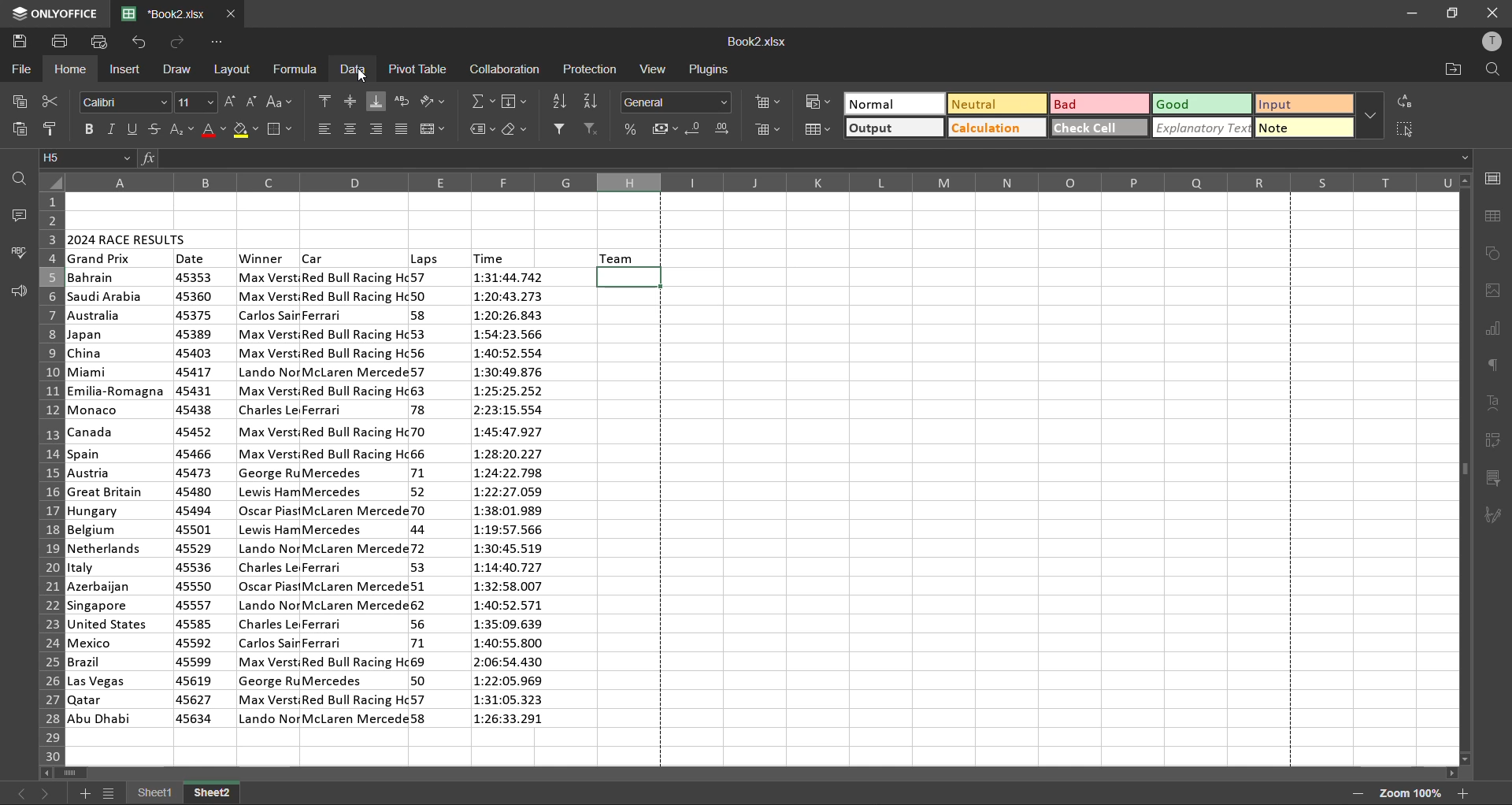 Image resolution: width=1512 pixels, height=805 pixels. Describe the element at coordinates (151, 130) in the screenshot. I see `strikethrough` at that location.